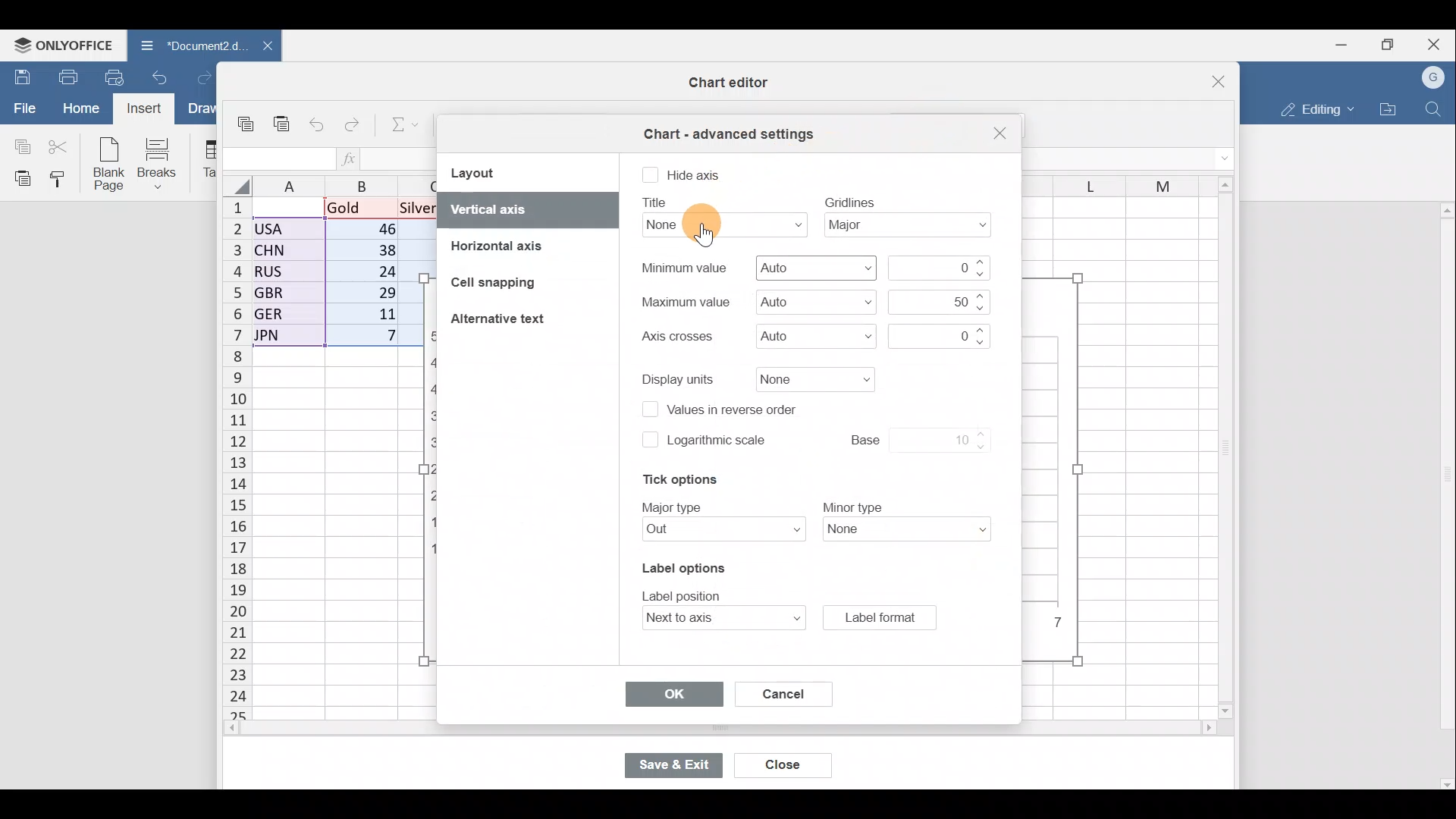 This screenshot has height=819, width=1456. What do you see at coordinates (673, 764) in the screenshot?
I see `Save & exit` at bounding box center [673, 764].